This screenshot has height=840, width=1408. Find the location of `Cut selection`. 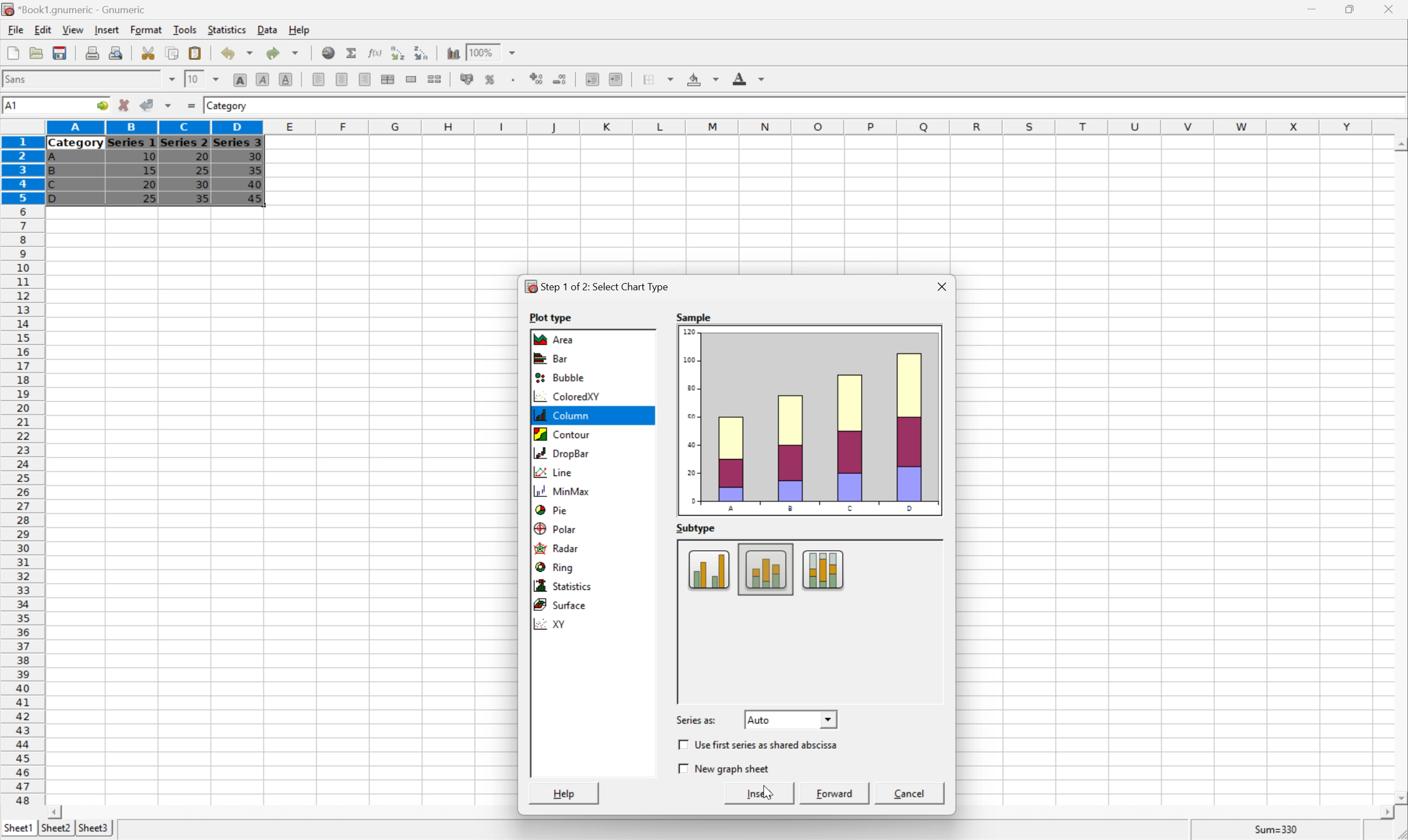

Cut selection is located at coordinates (149, 53).